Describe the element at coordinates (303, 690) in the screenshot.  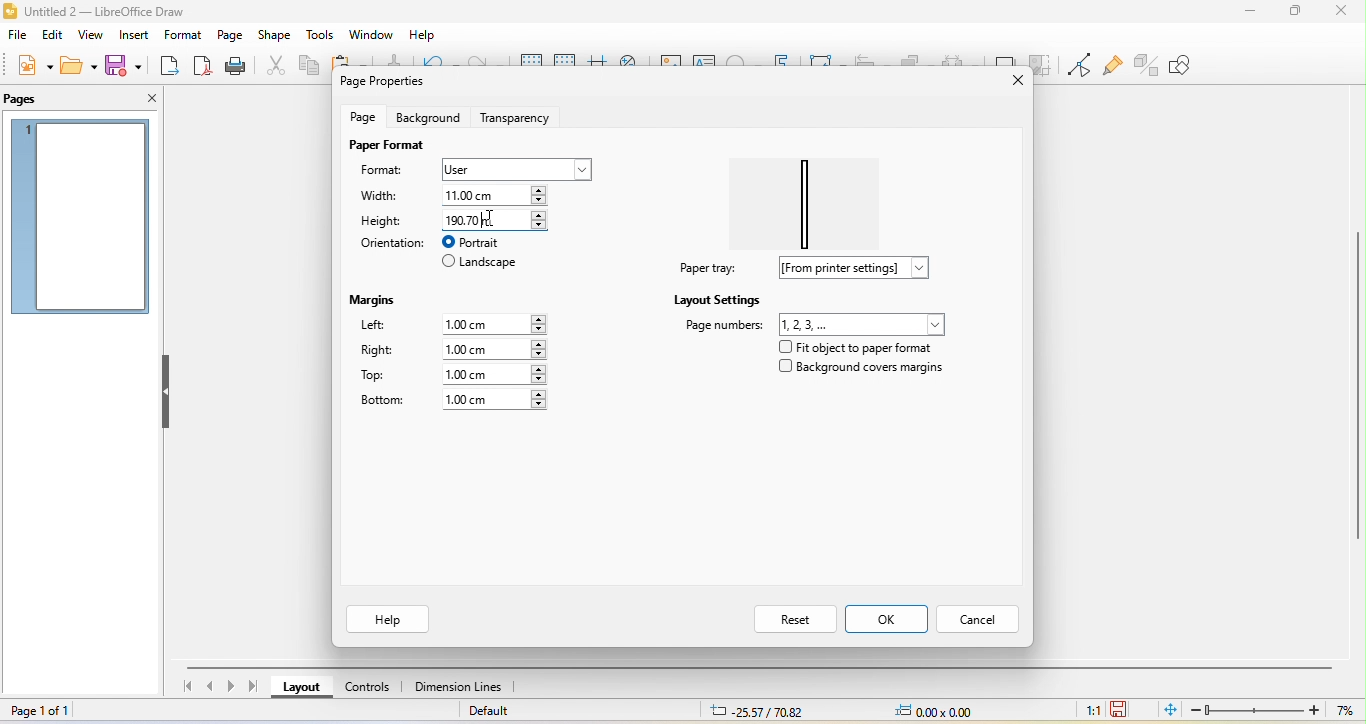
I see `layout` at that location.